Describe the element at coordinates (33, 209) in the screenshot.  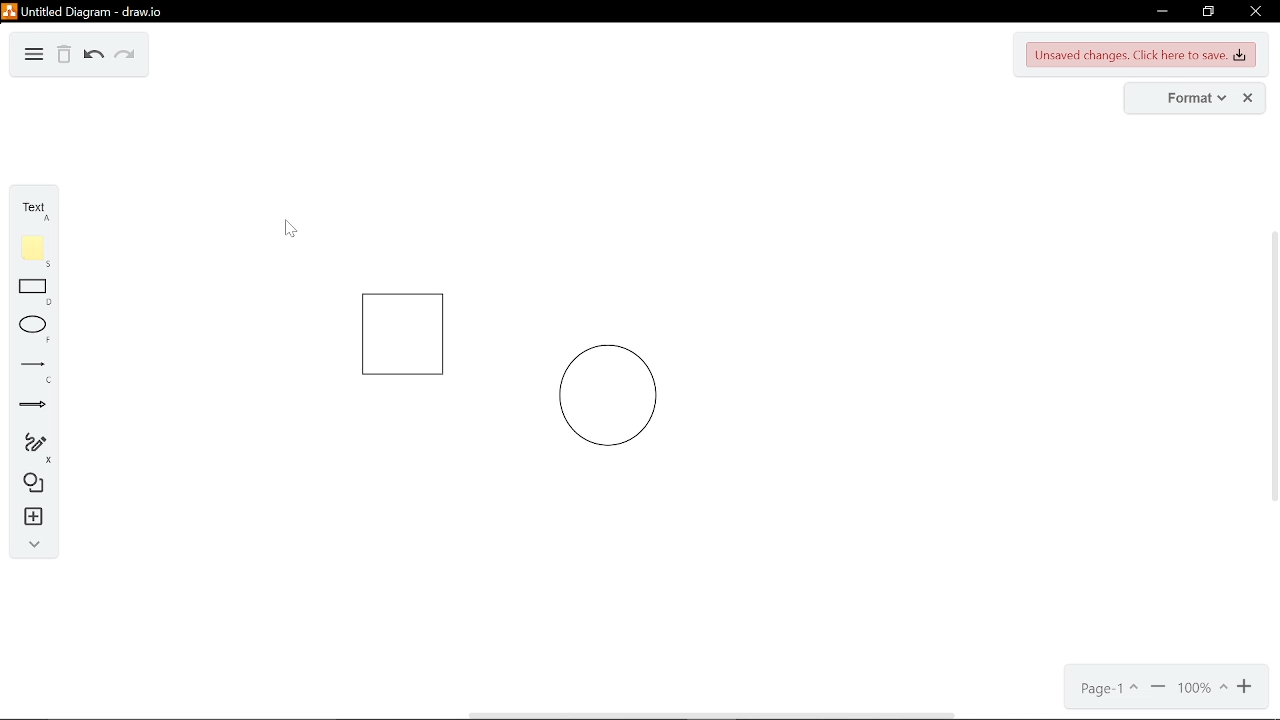
I see `text` at that location.